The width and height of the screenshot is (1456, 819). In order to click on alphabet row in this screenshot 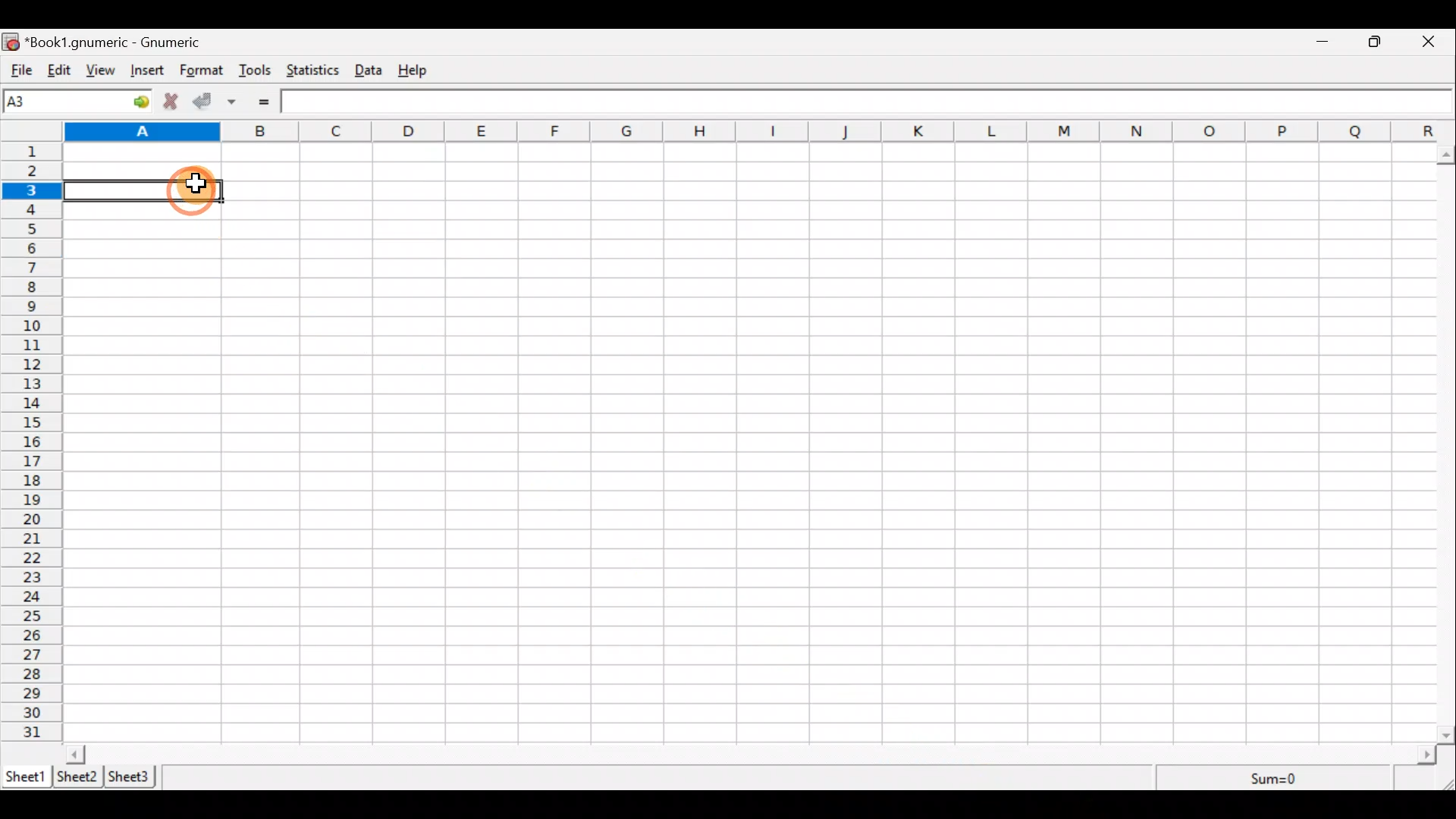, I will do `click(737, 132)`.